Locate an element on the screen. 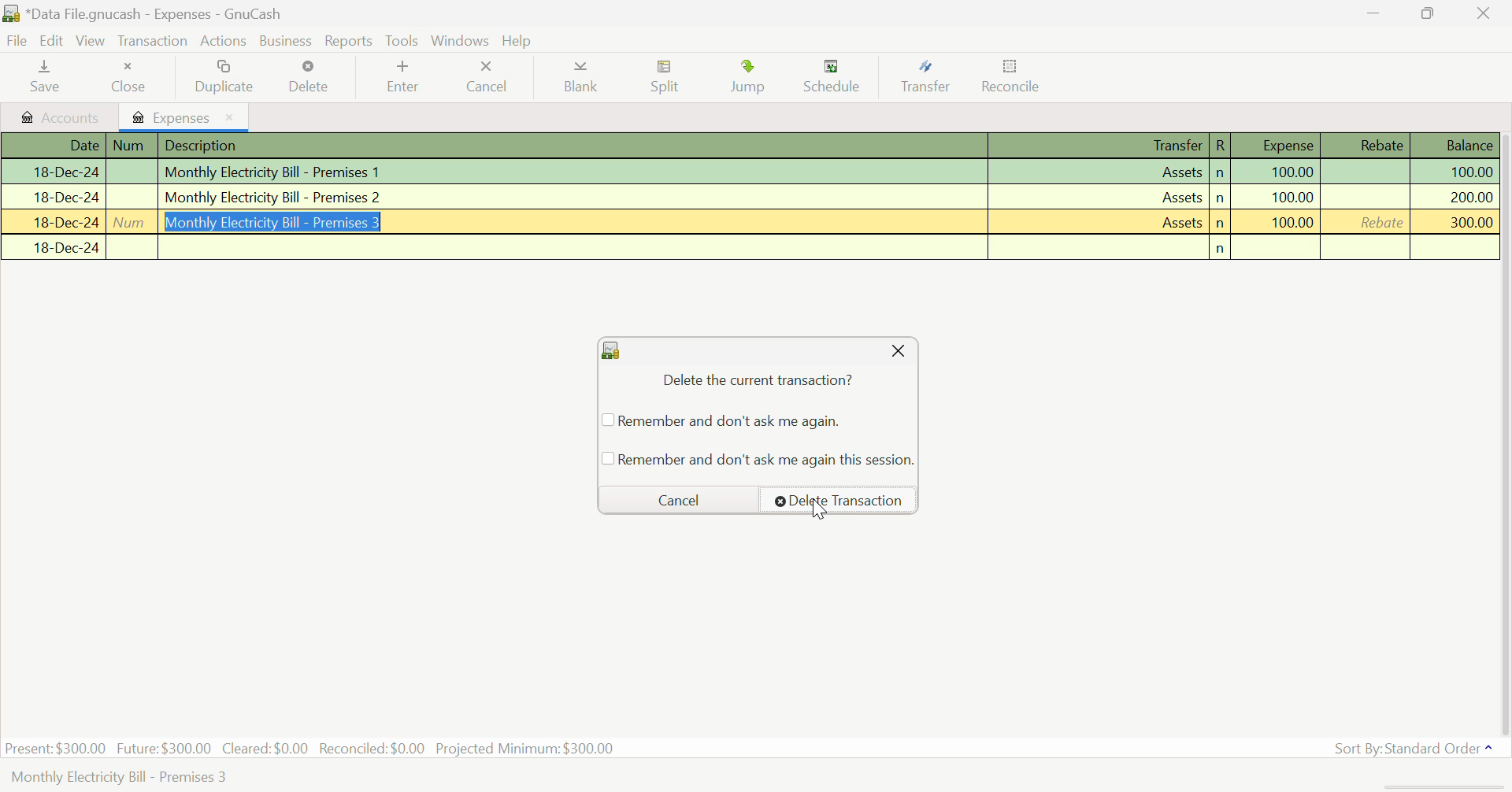 The width and height of the screenshot is (1512, 792). Delete Transaction is located at coordinates (838, 500).